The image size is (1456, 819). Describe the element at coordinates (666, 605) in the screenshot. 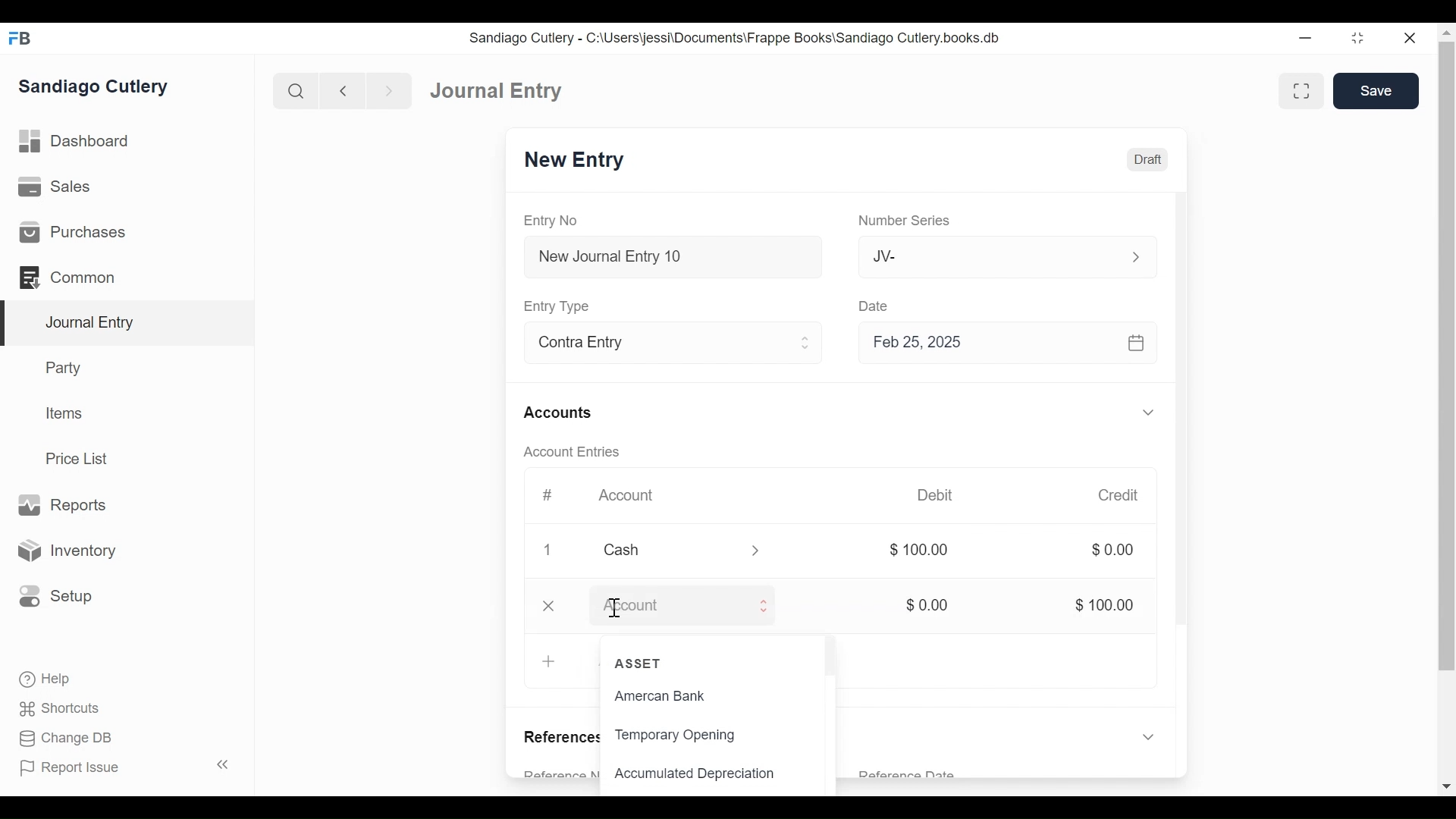

I see `Account` at that location.